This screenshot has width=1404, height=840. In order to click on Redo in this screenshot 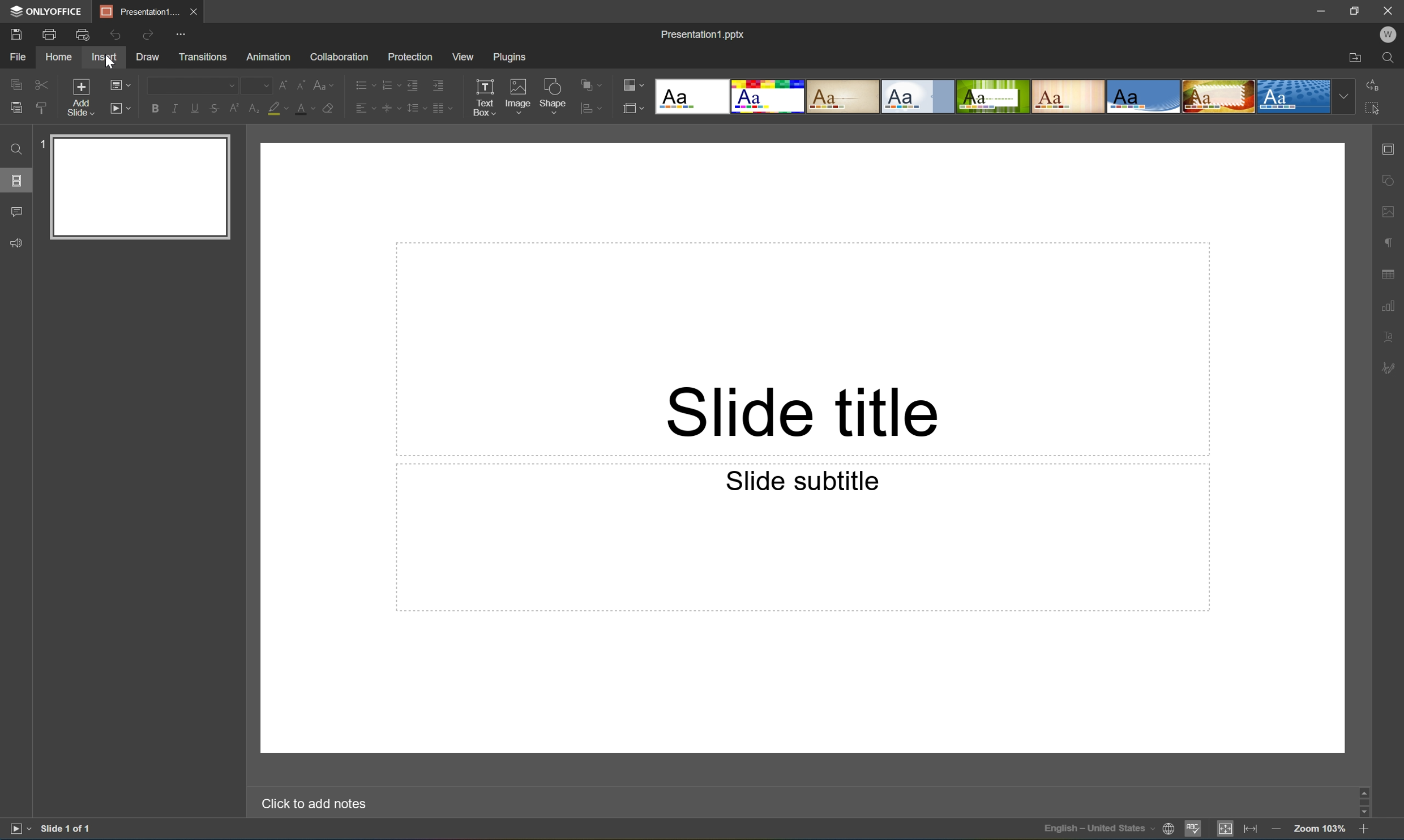, I will do `click(147, 36)`.